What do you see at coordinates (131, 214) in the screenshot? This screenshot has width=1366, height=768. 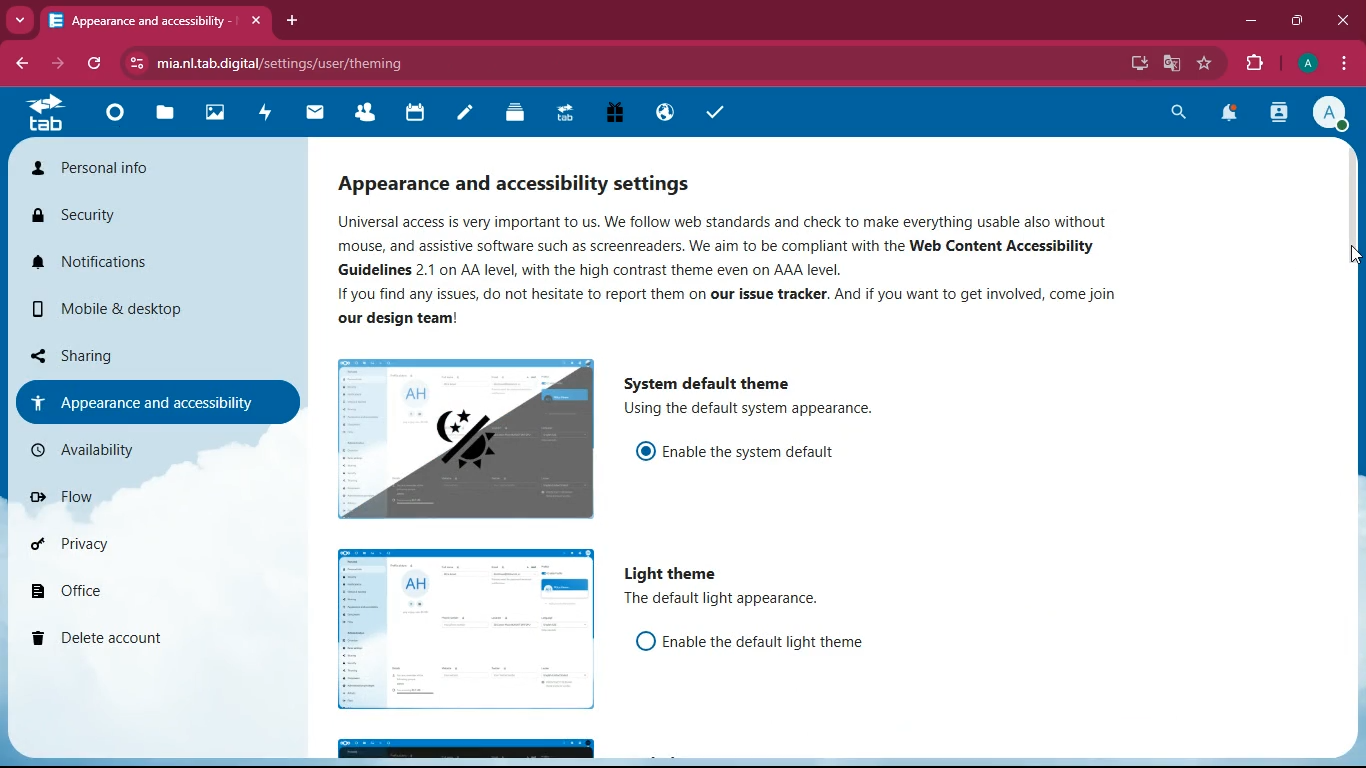 I see `security` at bounding box center [131, 214].